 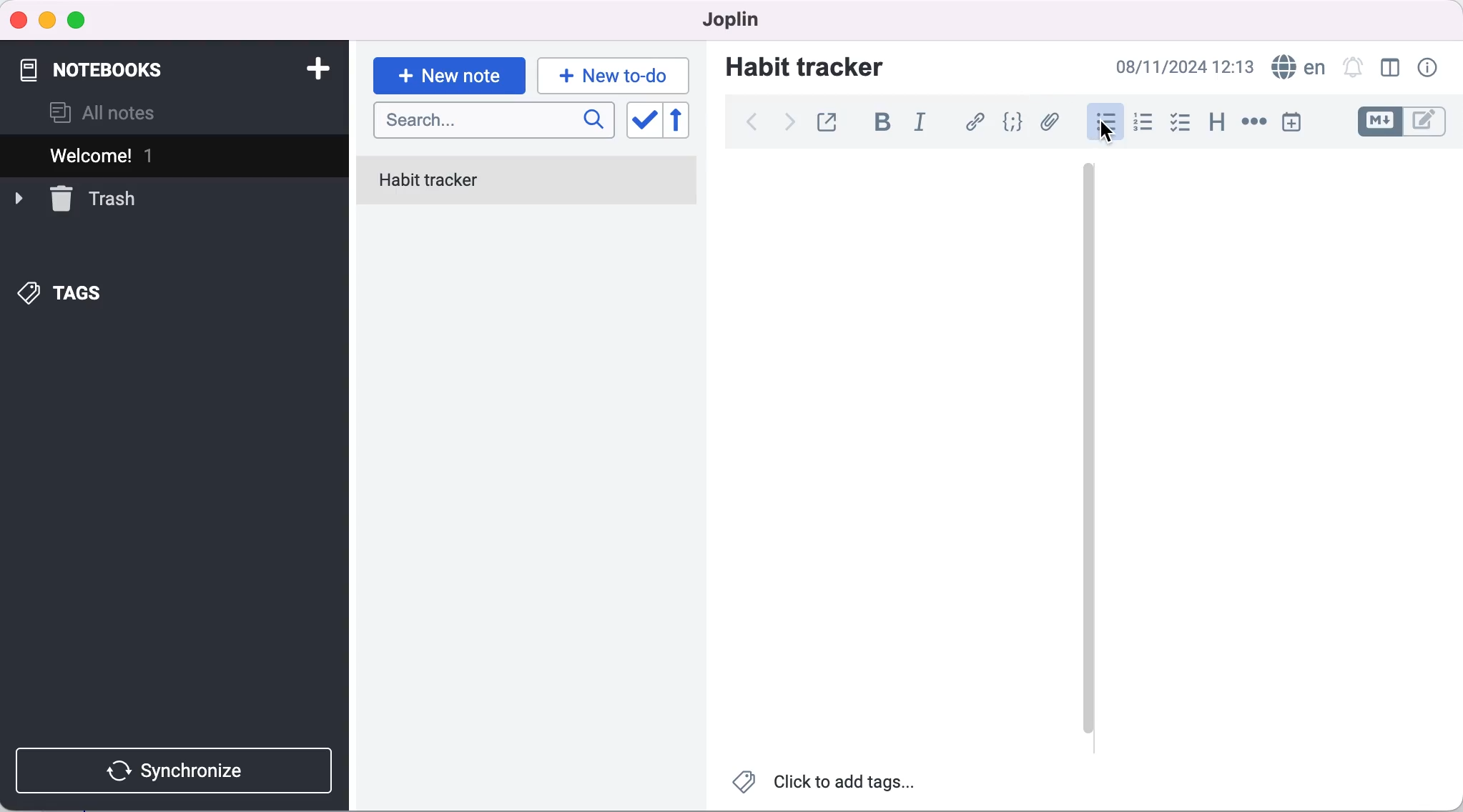 I want to click on cursor, so click(x=1108, y=132).